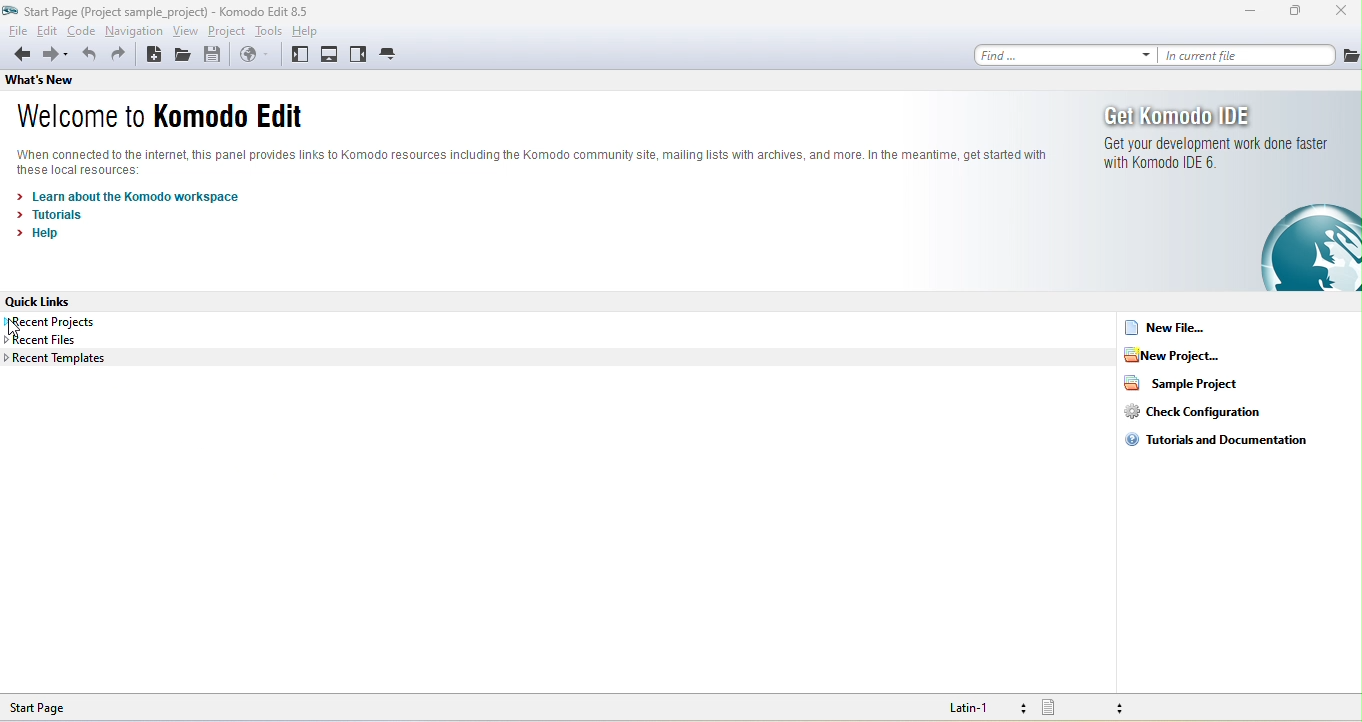  Describe the element at coordinates (361, 54) in the screenshot. I see `right pane` at that location.